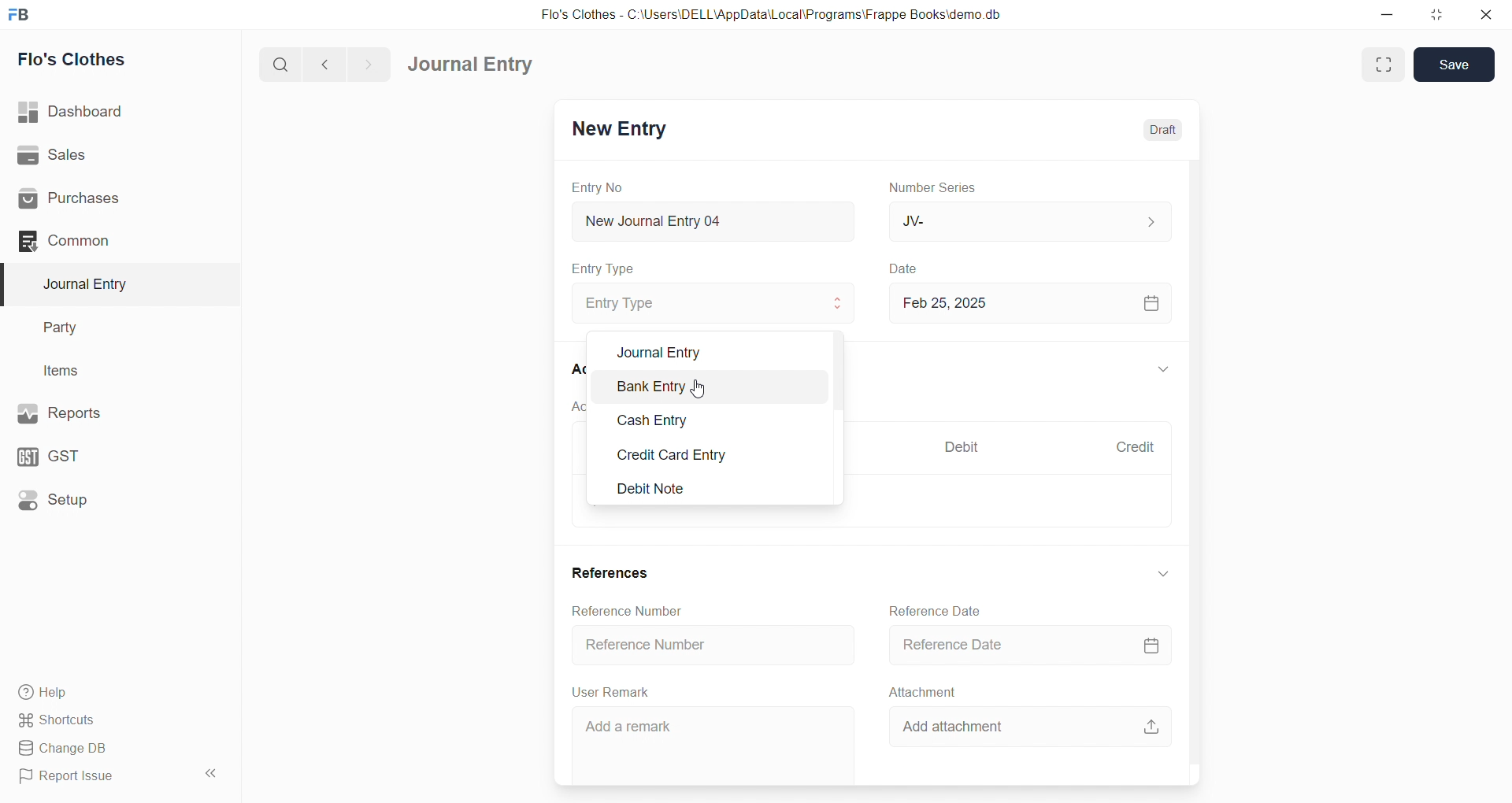 The width and height of the screenshot is (1512, 803). Describe the element at coordinates (1164, 130) in the screenshot. I see `Draft` at that location.